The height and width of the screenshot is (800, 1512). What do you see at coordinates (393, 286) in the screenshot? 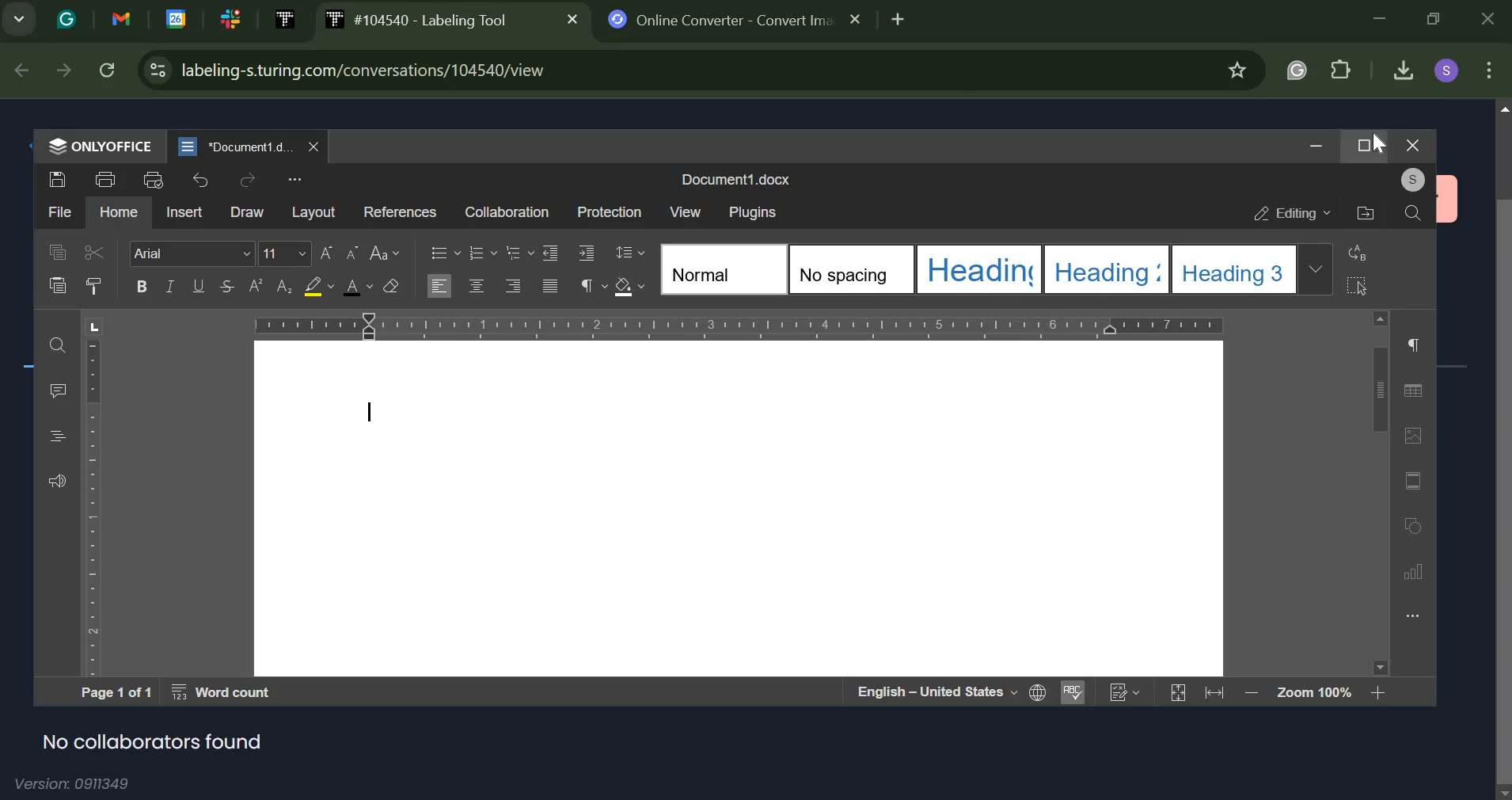
I see `erase` at bounding box center [393, 286].